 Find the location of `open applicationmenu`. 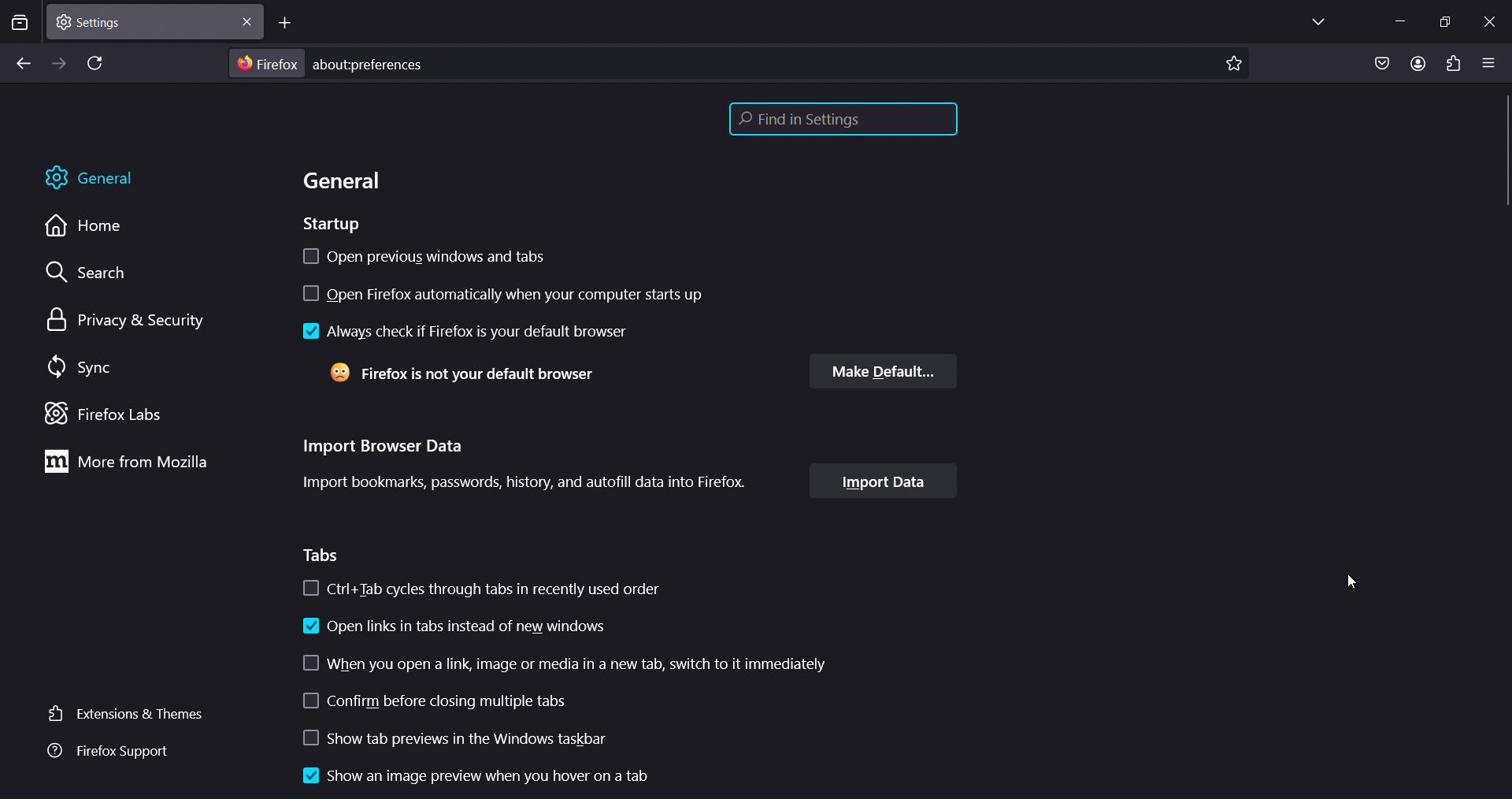

open applicationmenu is located at coordinates (1489, 61).